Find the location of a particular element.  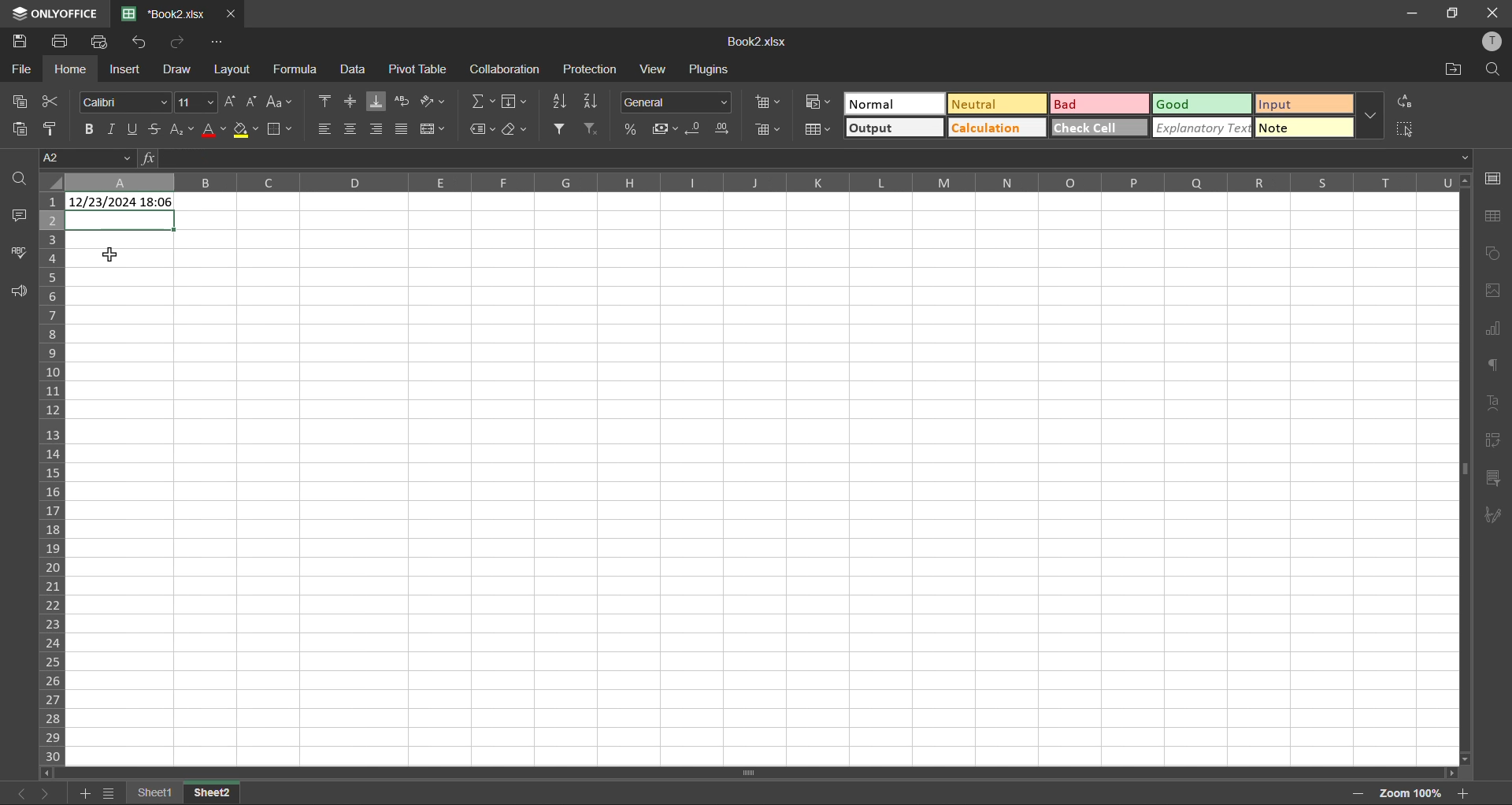

paste is located at coordinates (24, 130).